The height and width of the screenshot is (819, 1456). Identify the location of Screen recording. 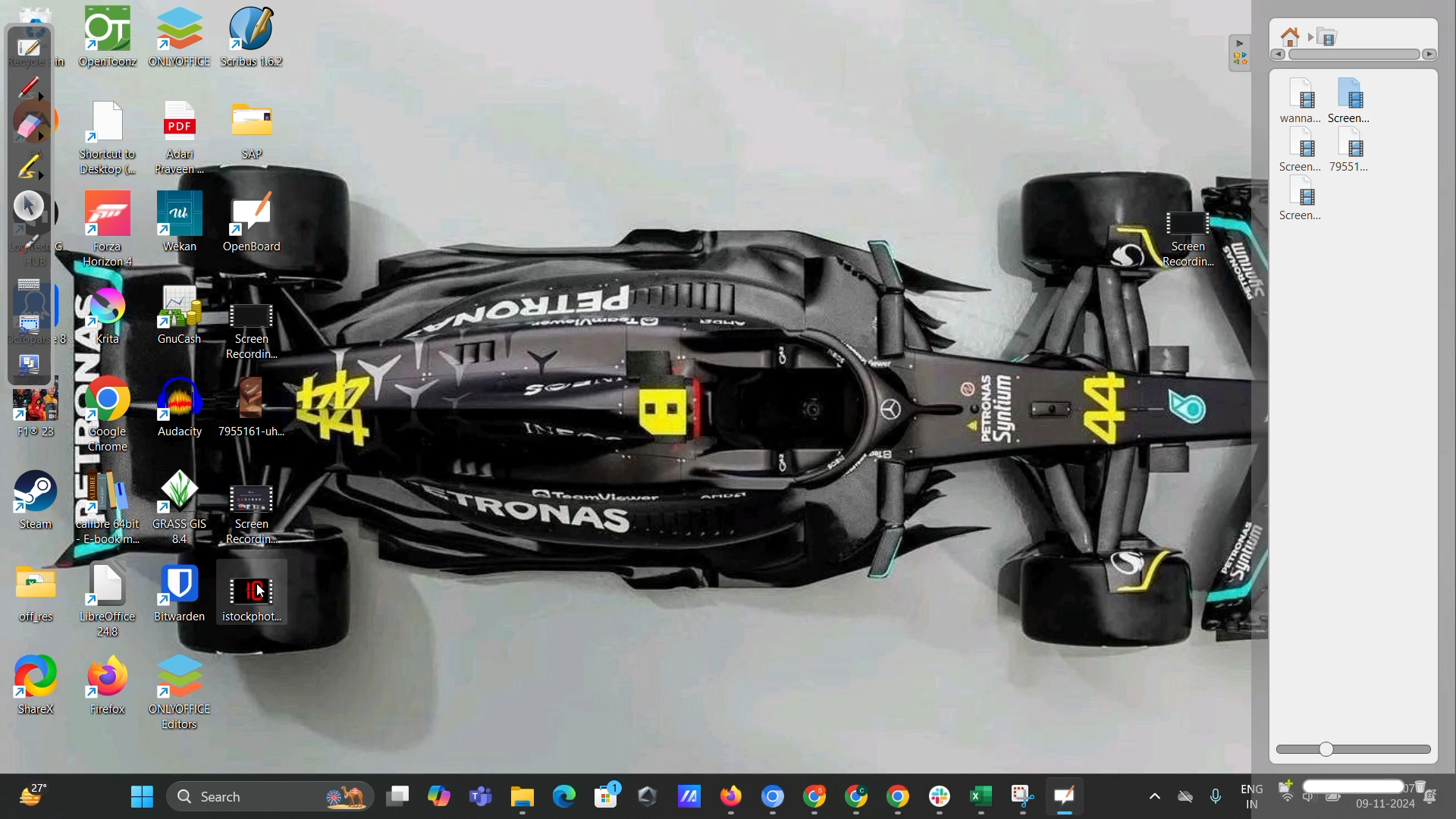
(1188, 242).